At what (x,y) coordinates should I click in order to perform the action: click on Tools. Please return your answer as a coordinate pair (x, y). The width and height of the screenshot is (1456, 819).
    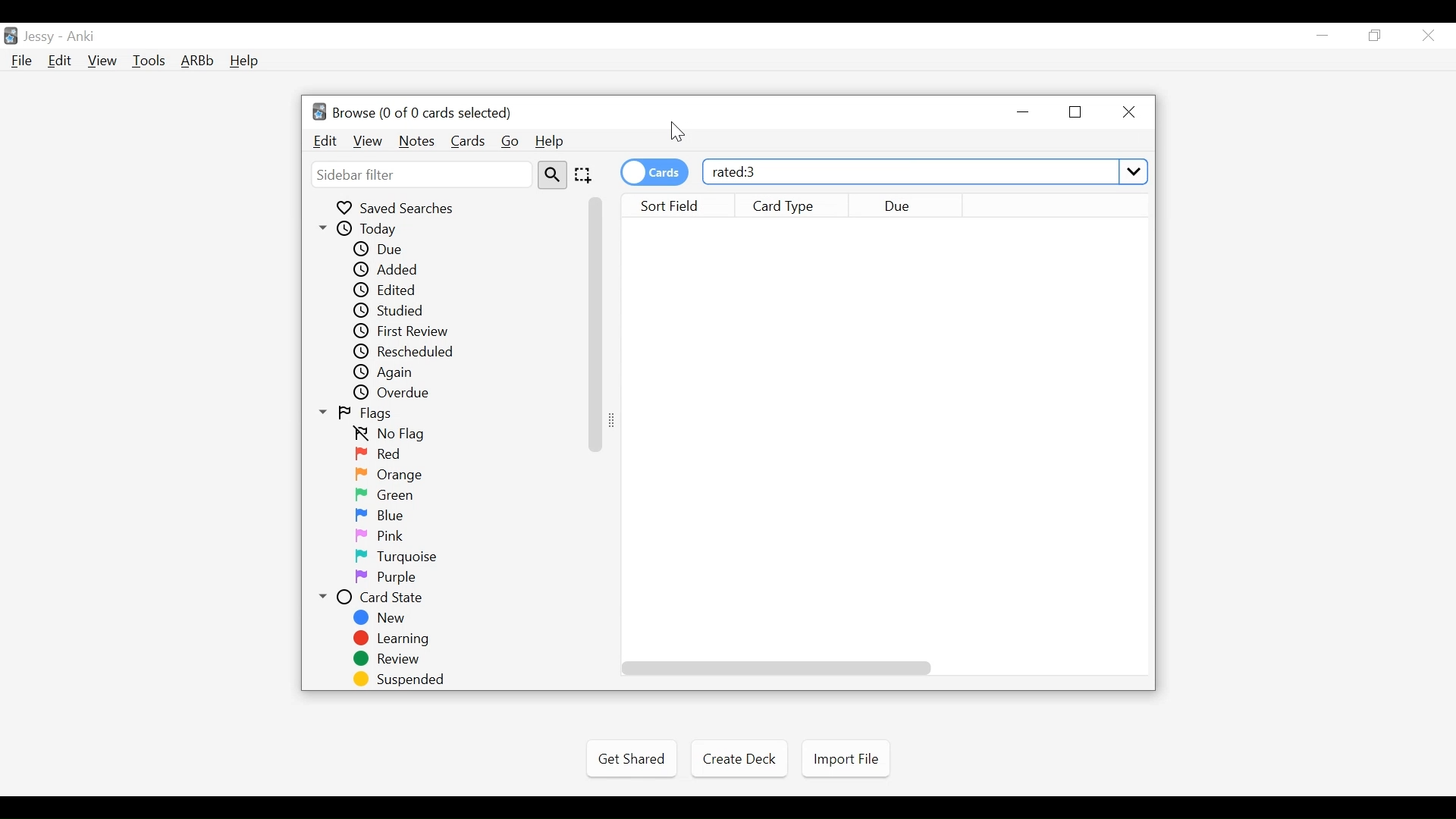
    Looking at the image, I should click on (151, 60).